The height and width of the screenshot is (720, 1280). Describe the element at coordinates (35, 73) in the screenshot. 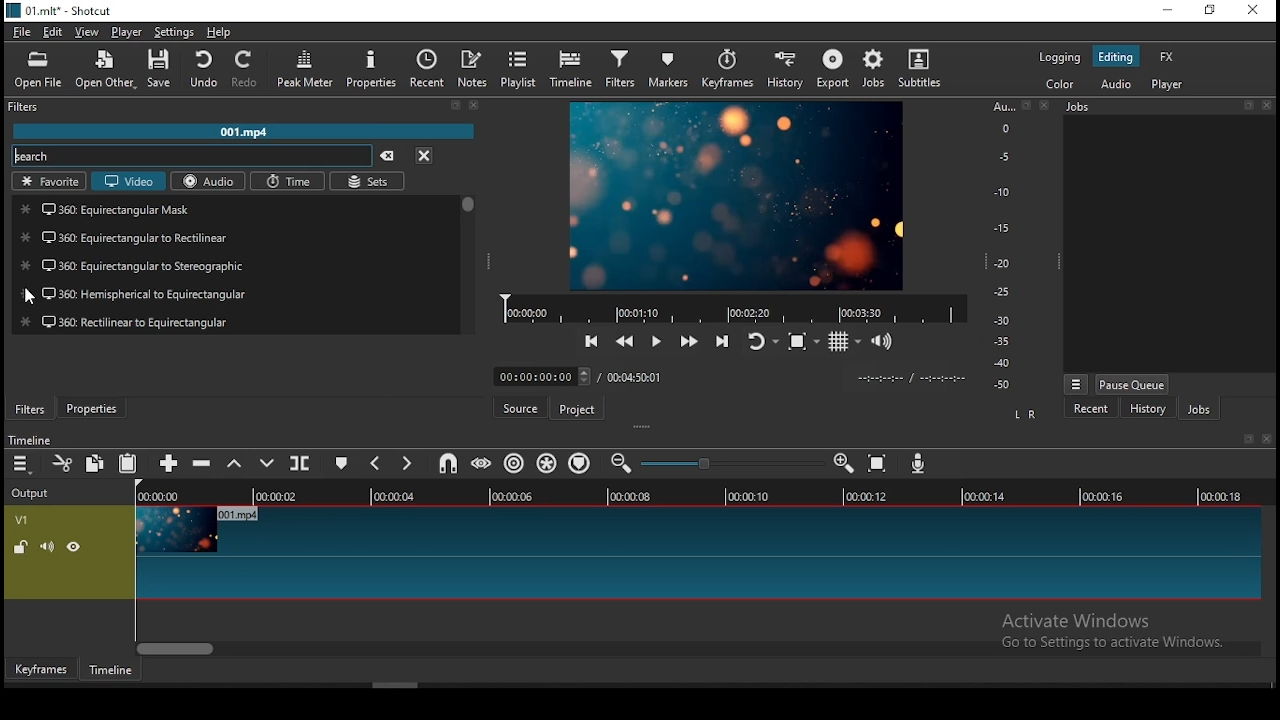

I see `Open File` at that location.